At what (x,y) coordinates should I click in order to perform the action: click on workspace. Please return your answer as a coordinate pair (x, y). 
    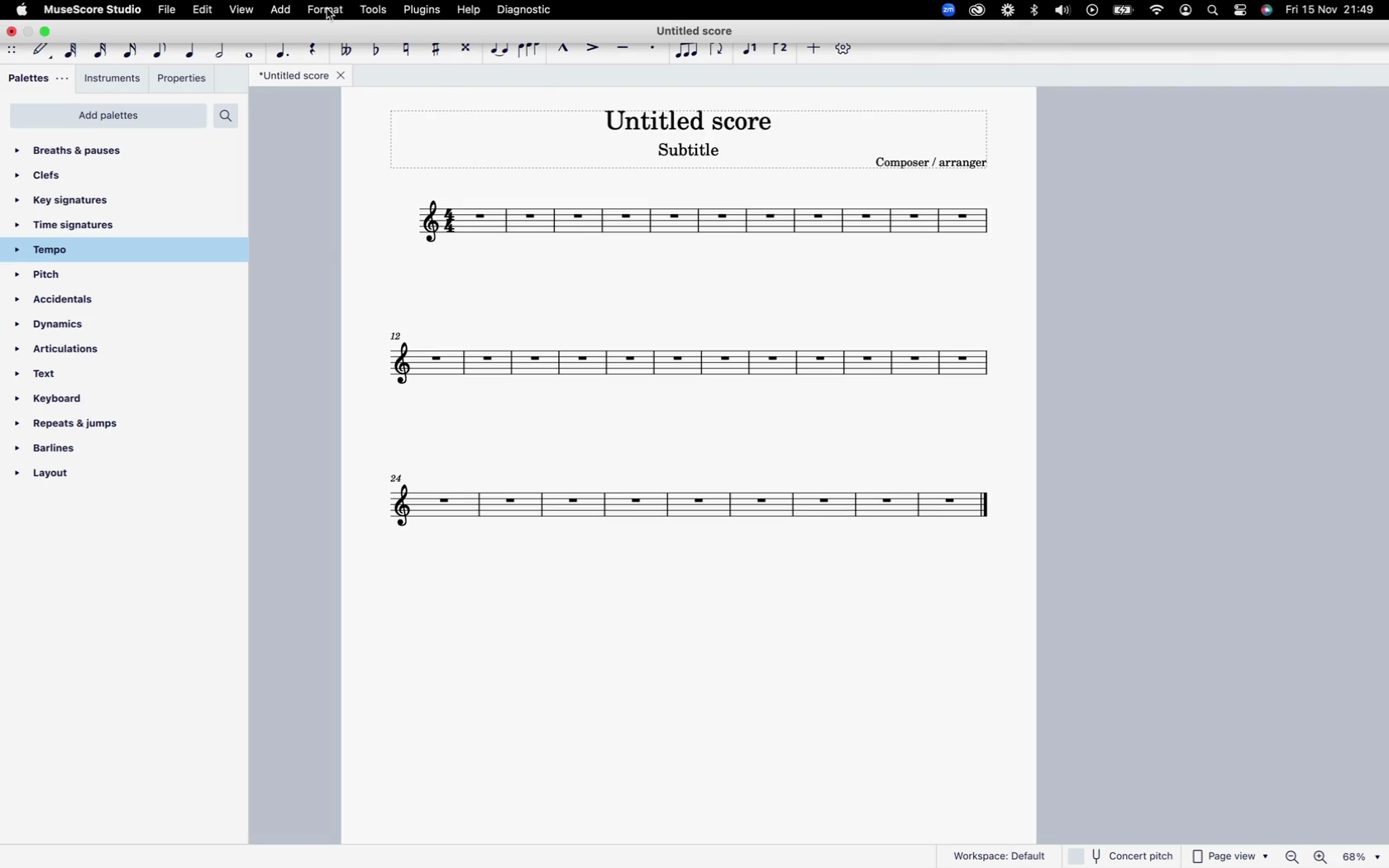
    Looking at the image, I should click on (1000, 853).